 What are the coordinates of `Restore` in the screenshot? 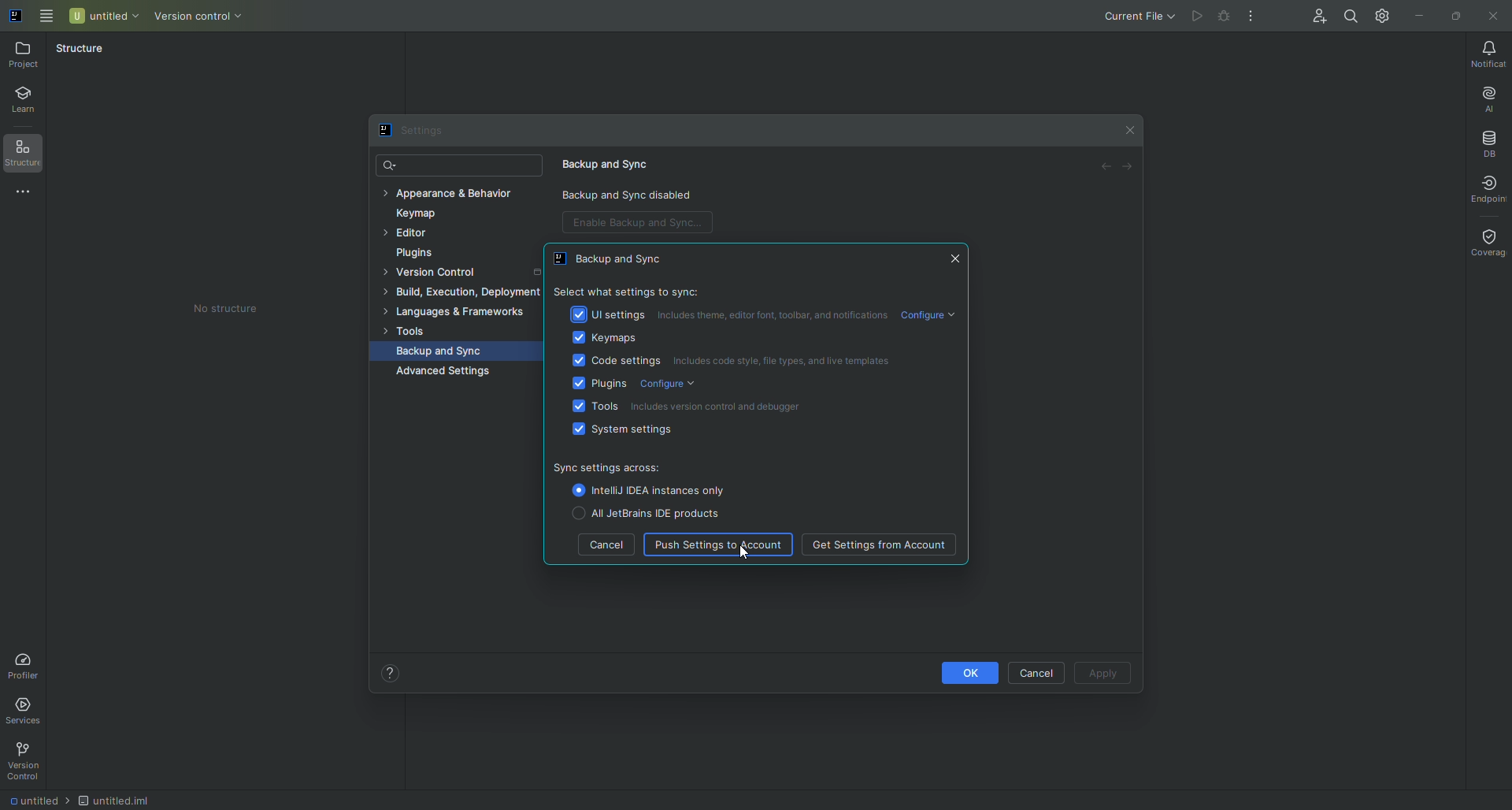 It's located at (1454, 14).